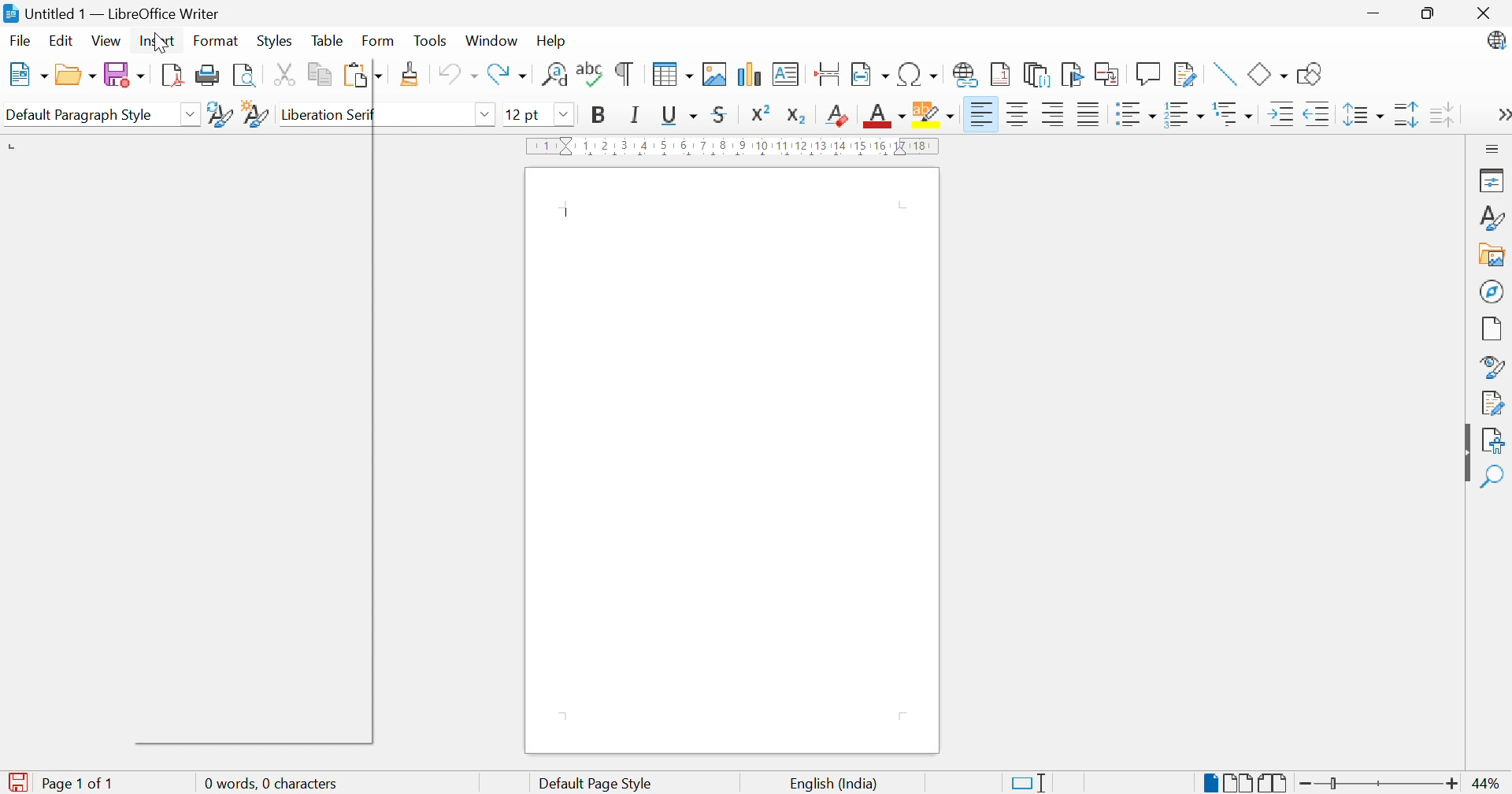 The image size is (1512, 794). Describe the element at coordinates (76, 785) in the screenshot. I see `Page 1 of 1` at that location.